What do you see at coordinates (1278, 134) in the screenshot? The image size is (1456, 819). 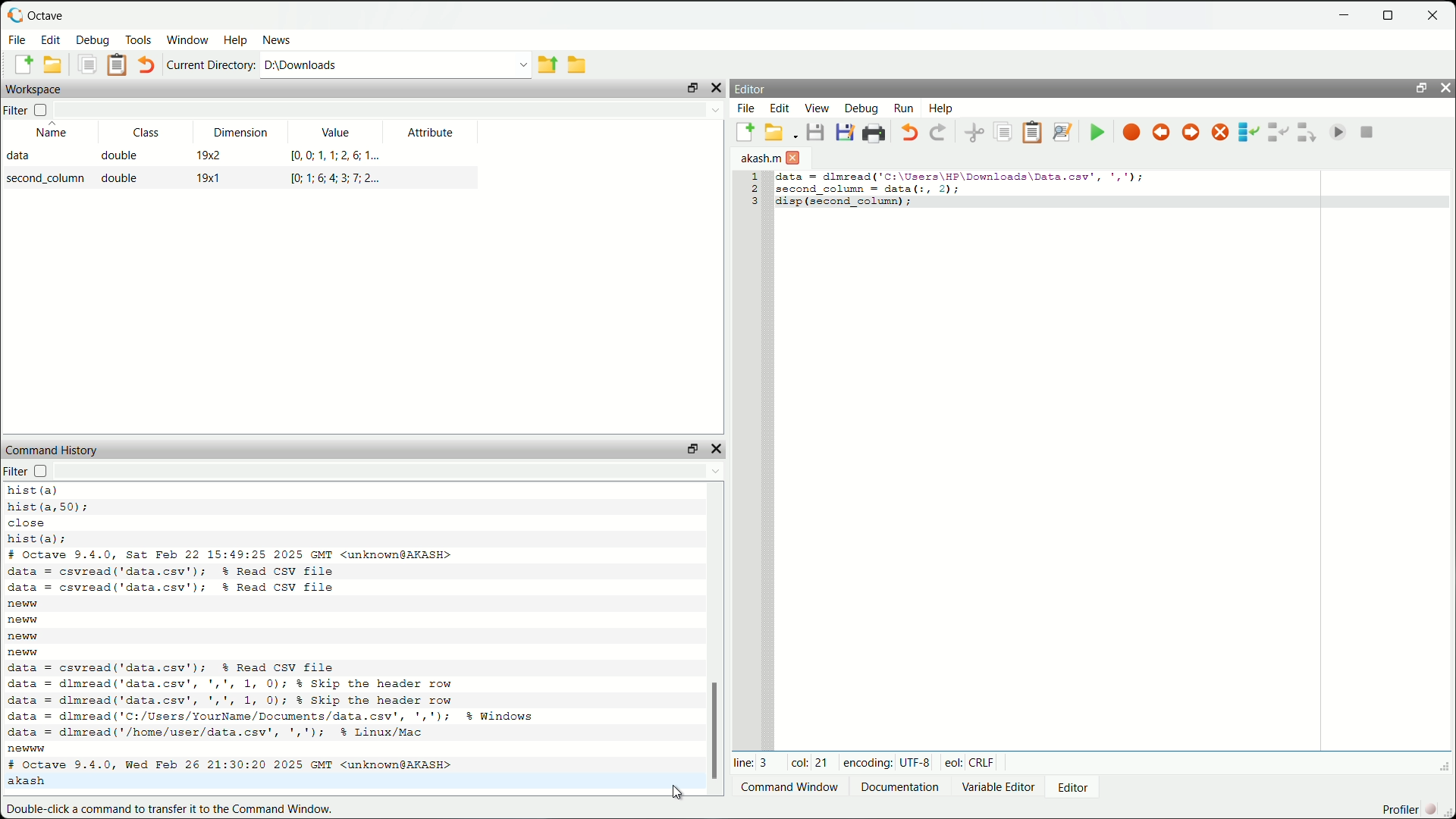 I see `step in` at bounding box center [1278, 134].